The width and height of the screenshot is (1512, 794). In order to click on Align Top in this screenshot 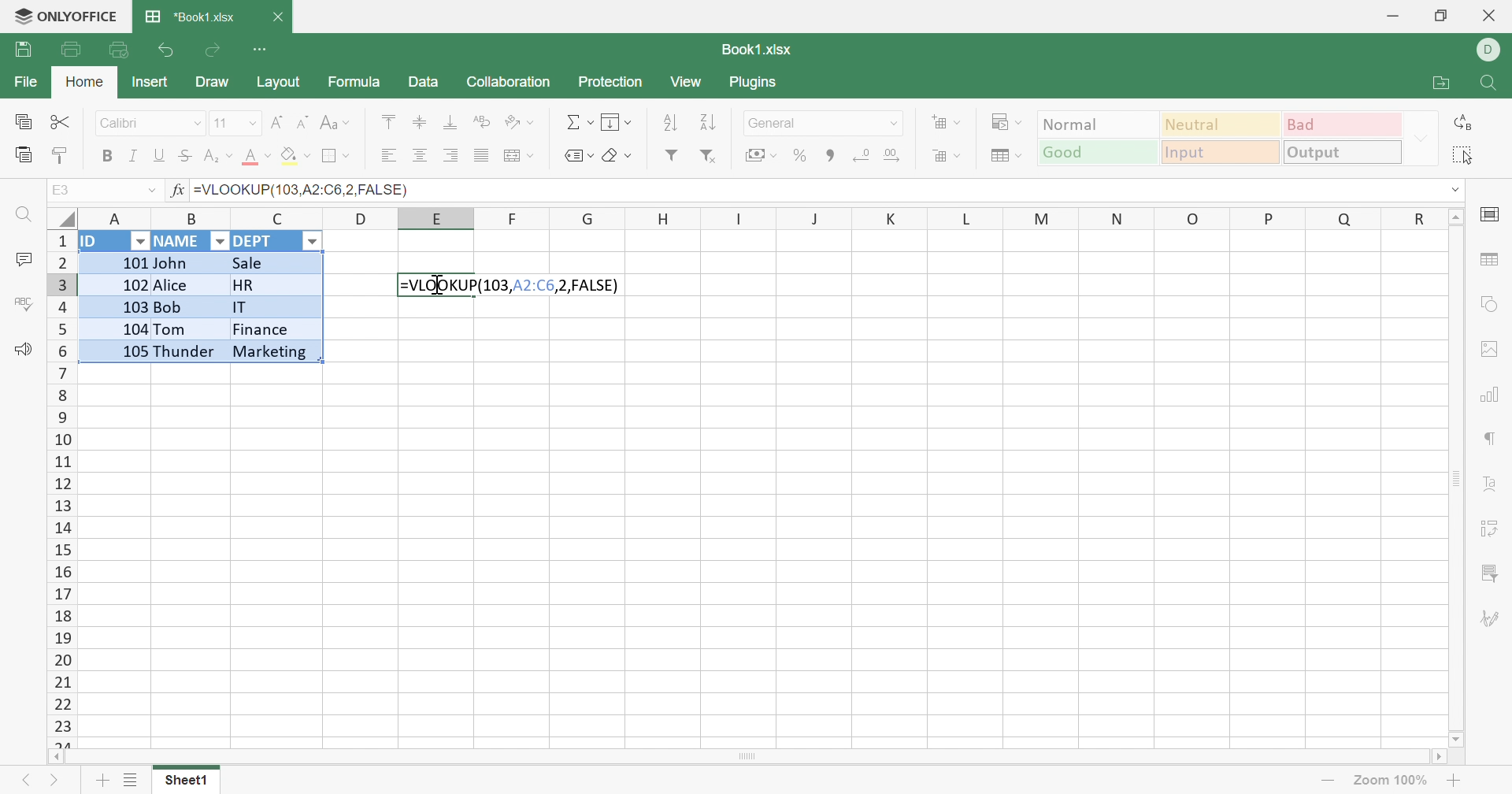, I will do `click(391, 121)`.